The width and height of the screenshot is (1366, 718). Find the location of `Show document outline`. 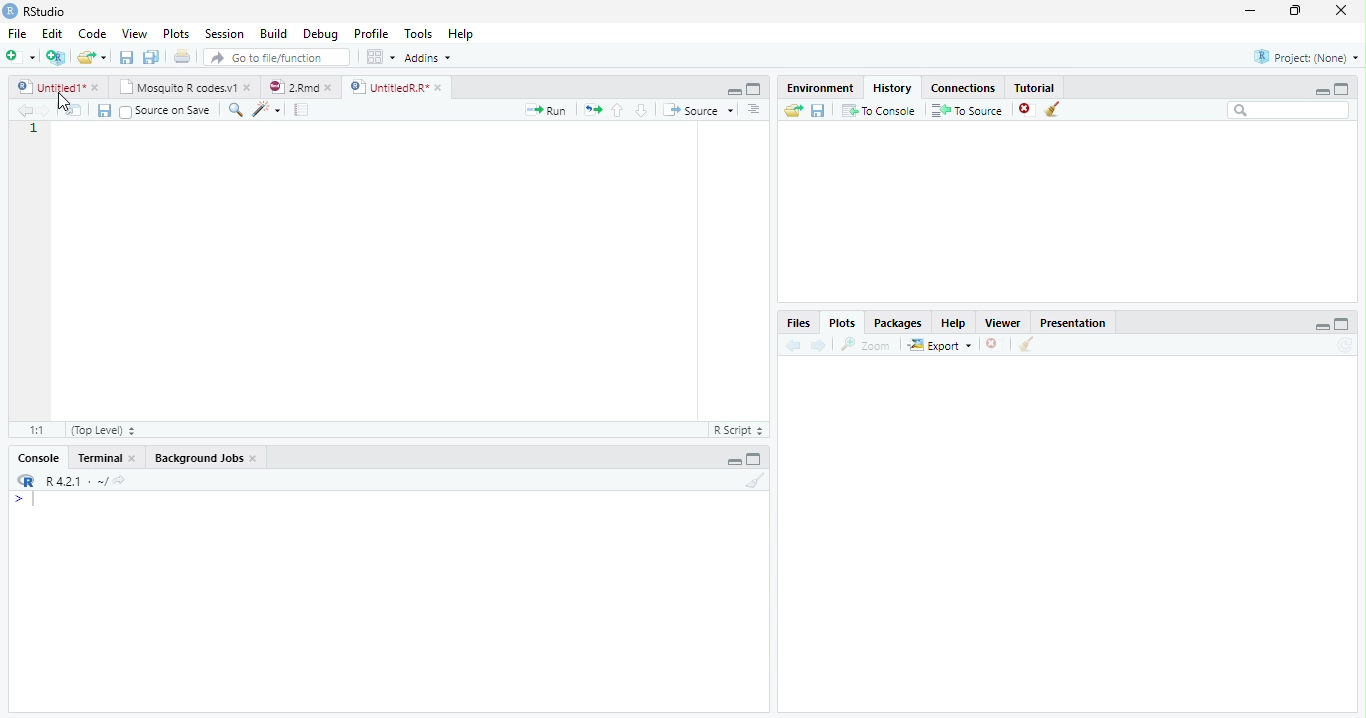

Show document outline is located at coordinates (753, 109).